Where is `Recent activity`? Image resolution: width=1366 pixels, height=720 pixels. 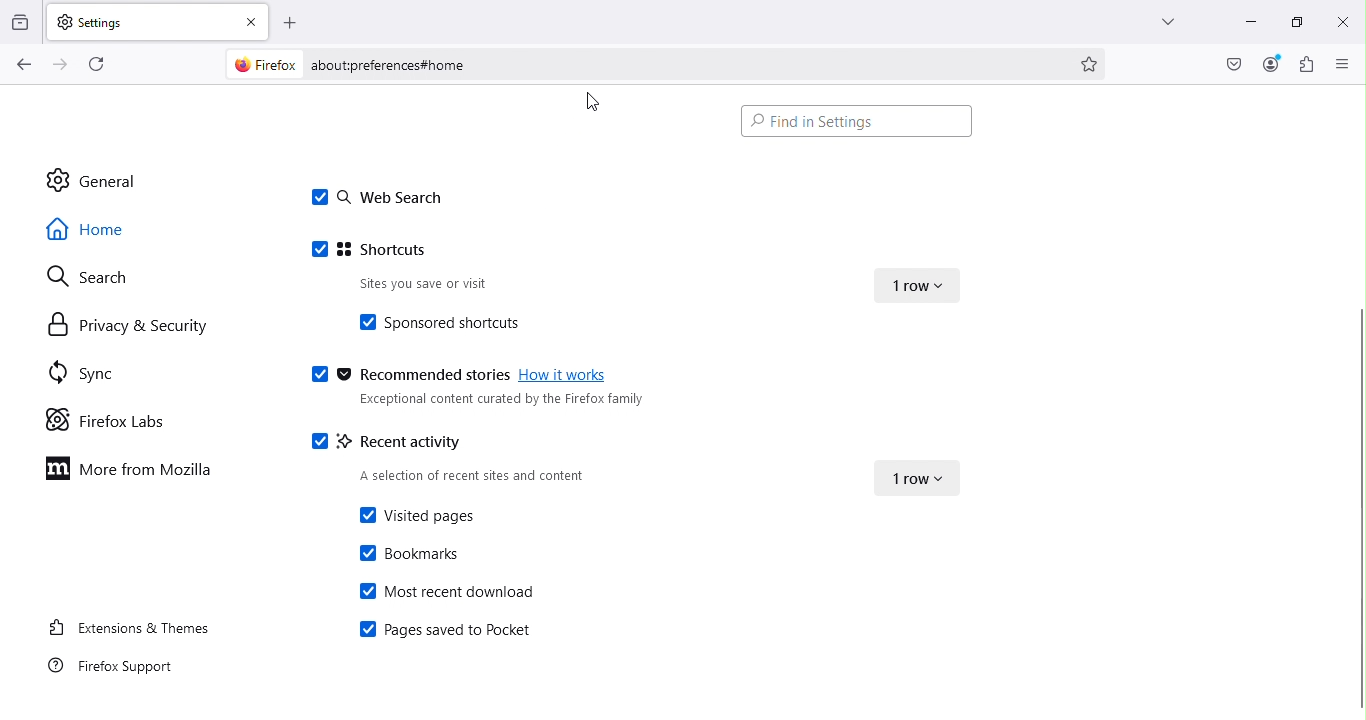 Recent activity is located at coordinates (393, 439).